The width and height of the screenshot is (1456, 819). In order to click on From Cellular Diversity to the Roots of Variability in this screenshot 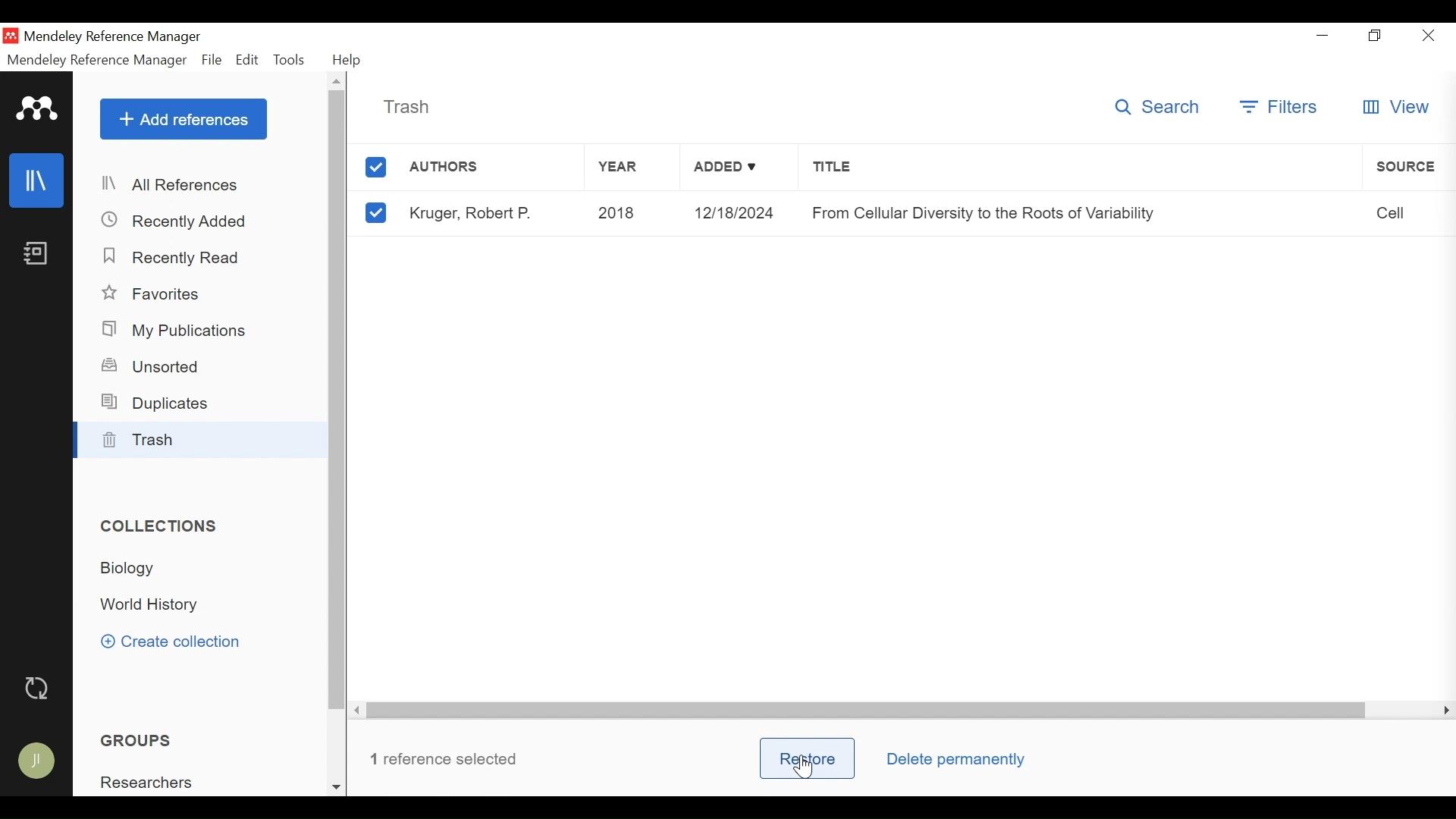, I will do `click(1071, 213)`.